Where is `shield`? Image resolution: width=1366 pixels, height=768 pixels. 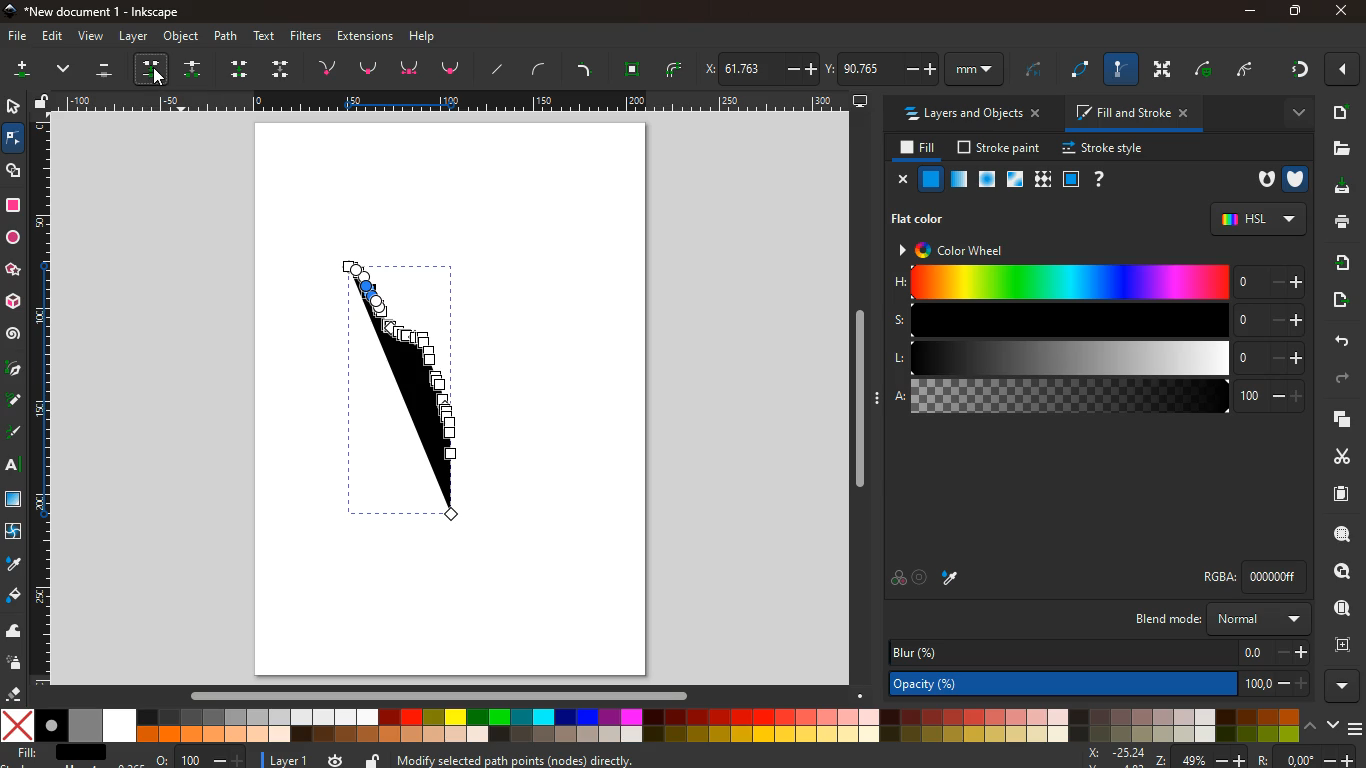 shield is located at coordinates (1298, 177).